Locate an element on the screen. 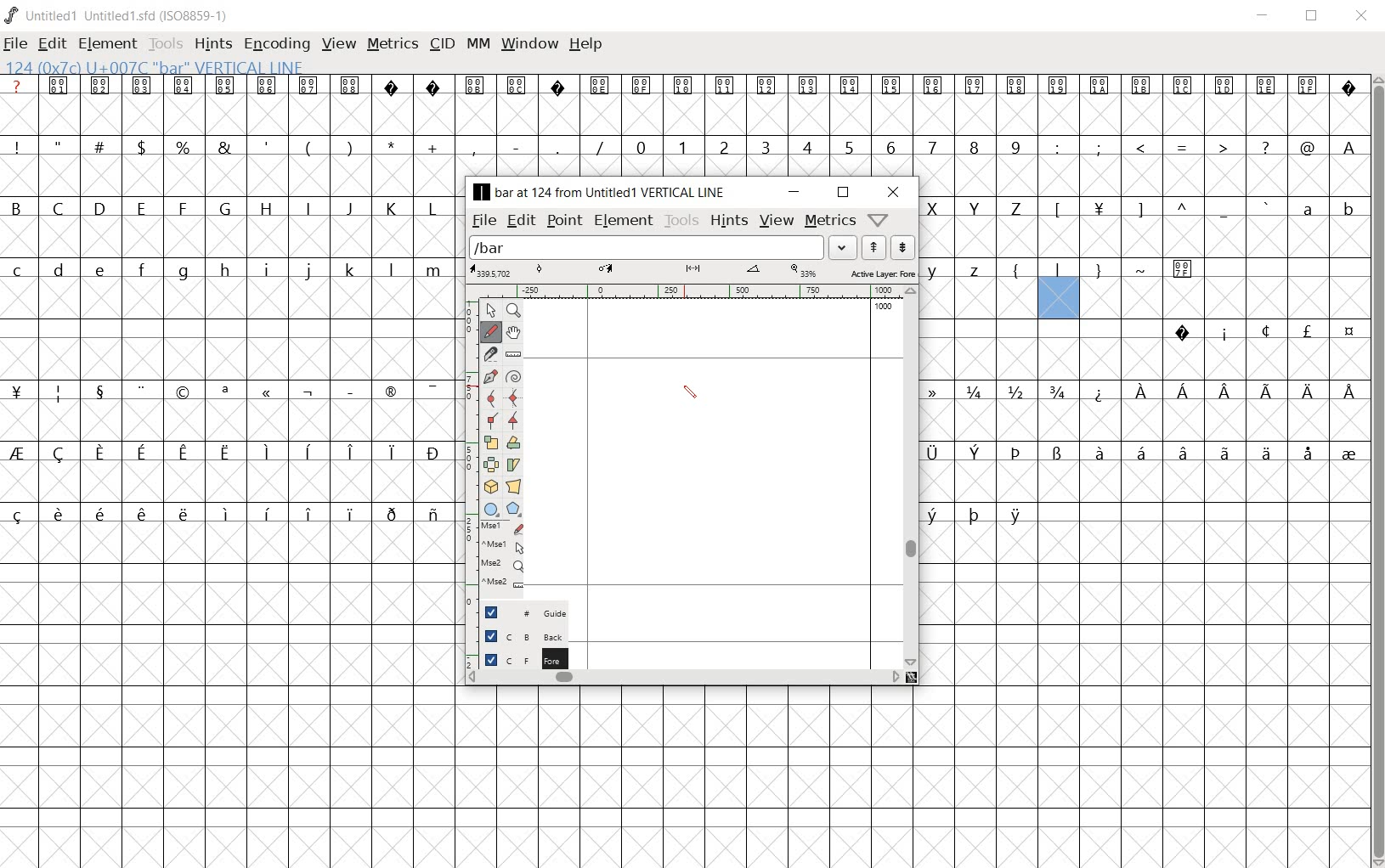  letters and symbols is located at coordinates (227, 207).